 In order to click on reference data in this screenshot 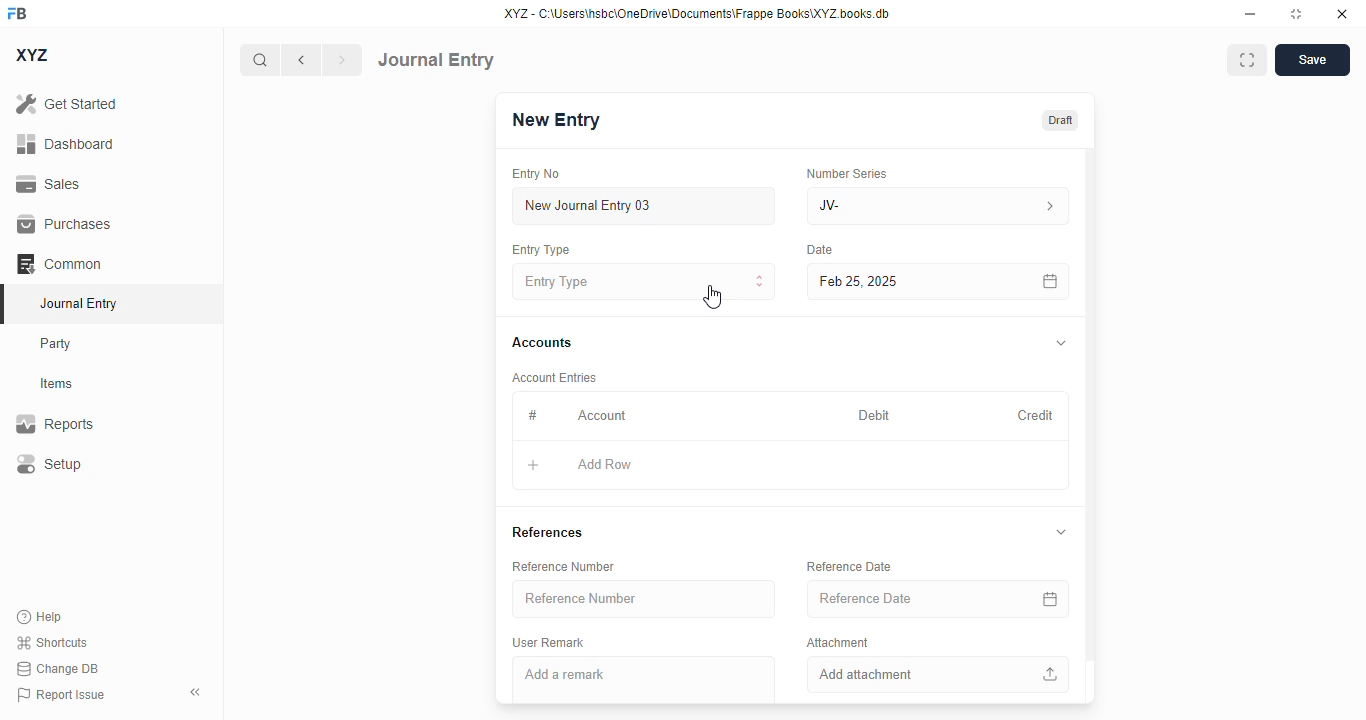, I will do `click(849, 566)`.